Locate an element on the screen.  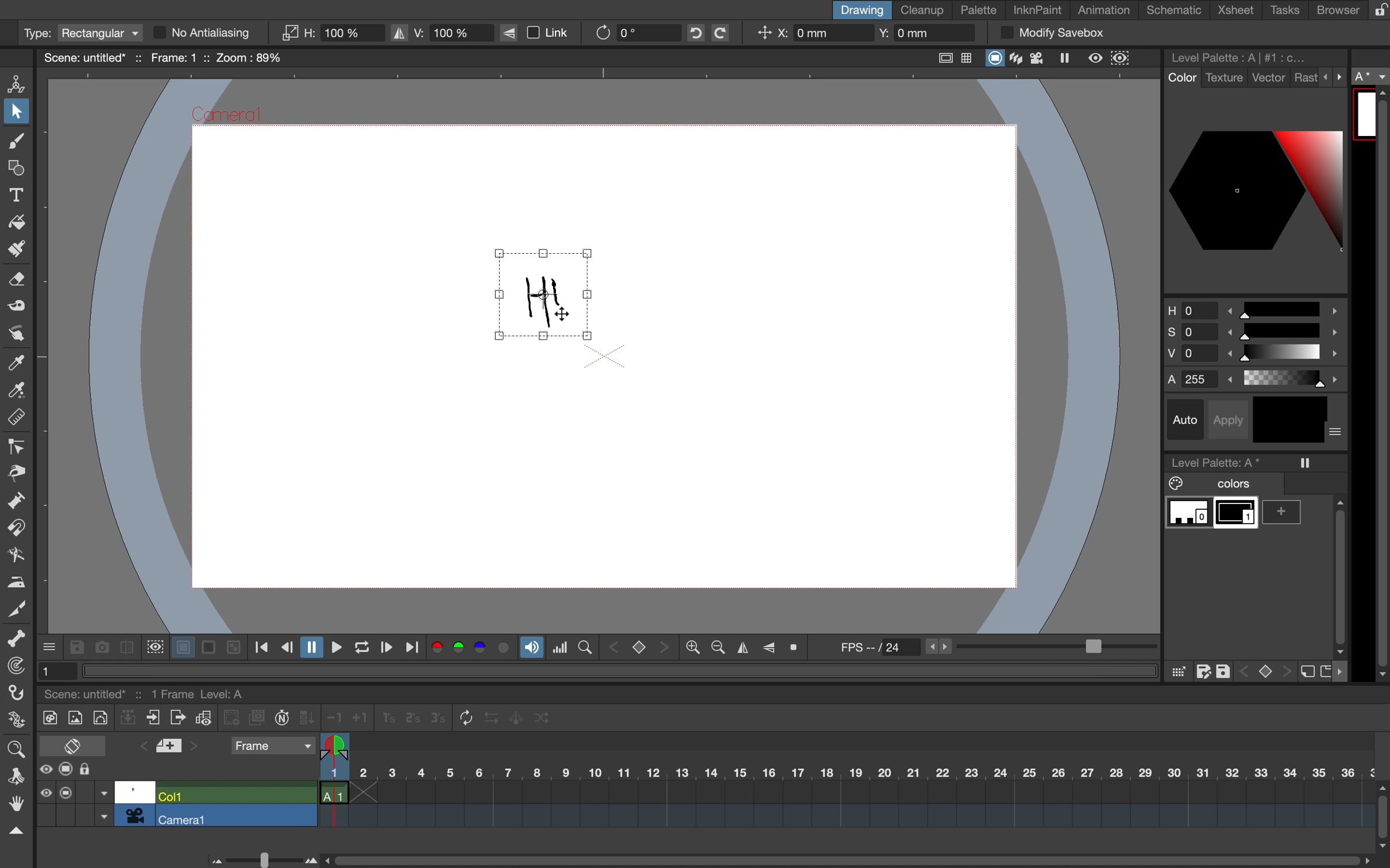
1 is located at coordinates (53, 670).